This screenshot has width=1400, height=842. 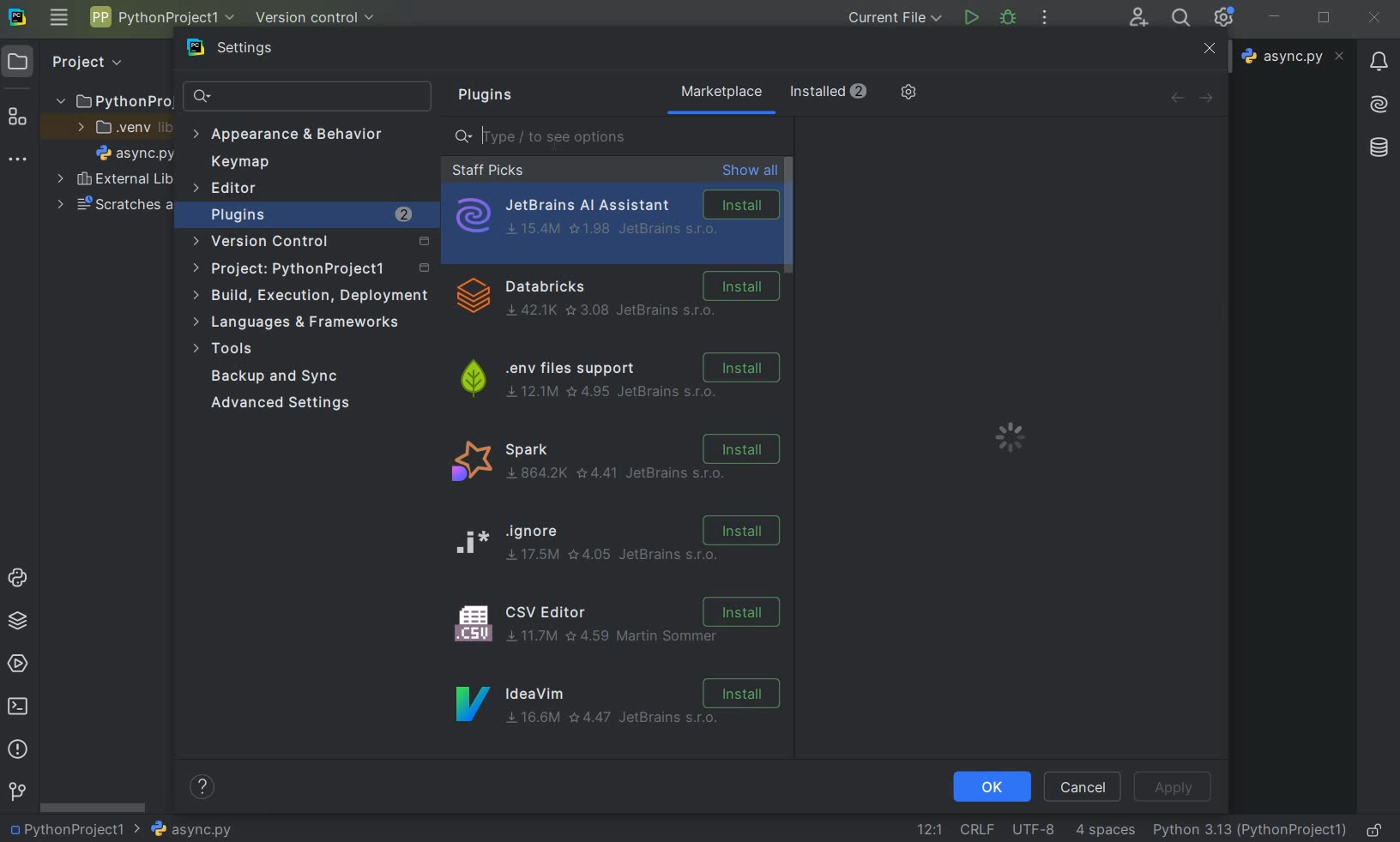 I want to click on python console, so click(x=19, y=580).